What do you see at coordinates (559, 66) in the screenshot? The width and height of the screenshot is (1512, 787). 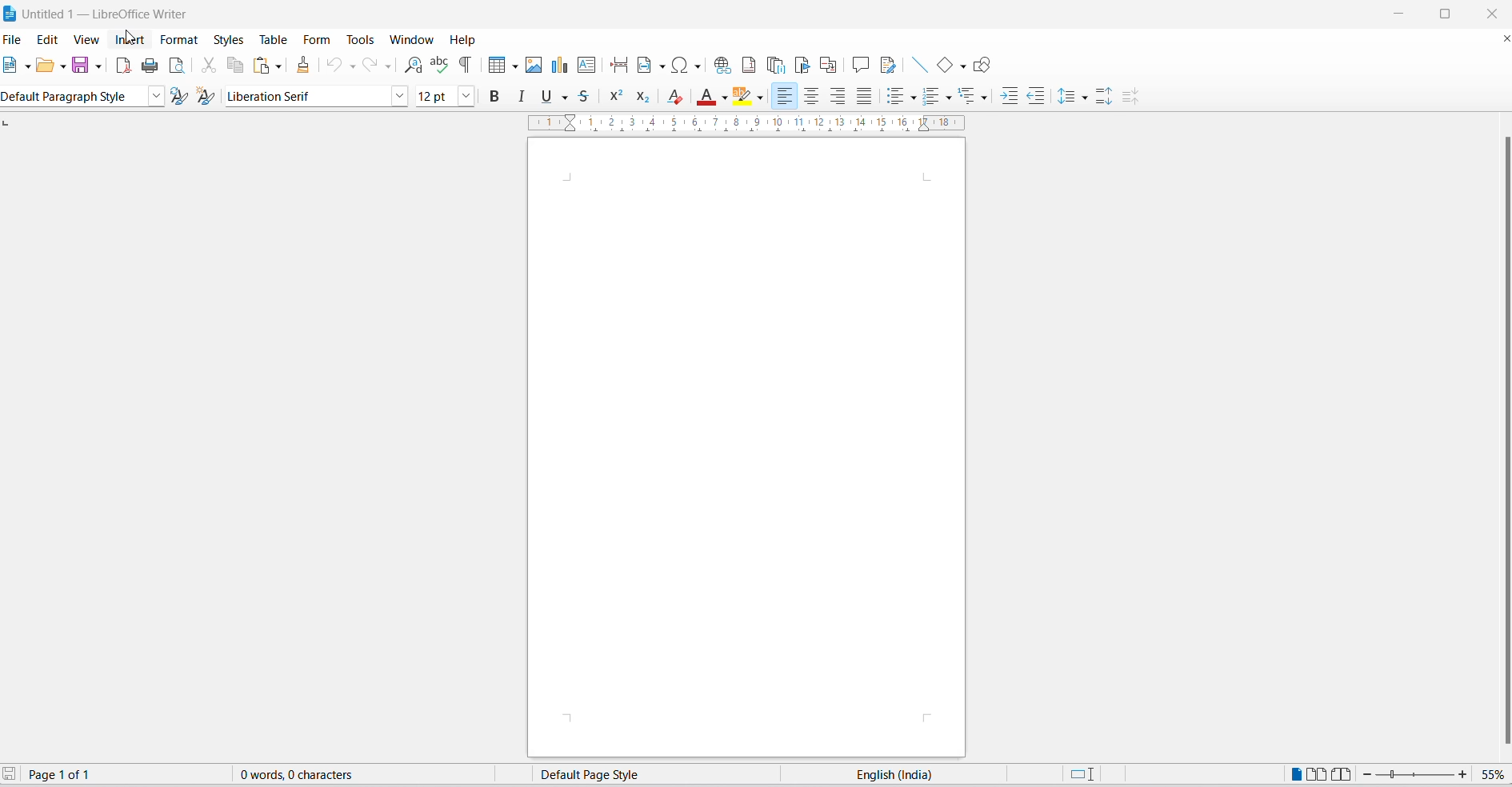 I see `insert charts` at bounding box center [559, 66].